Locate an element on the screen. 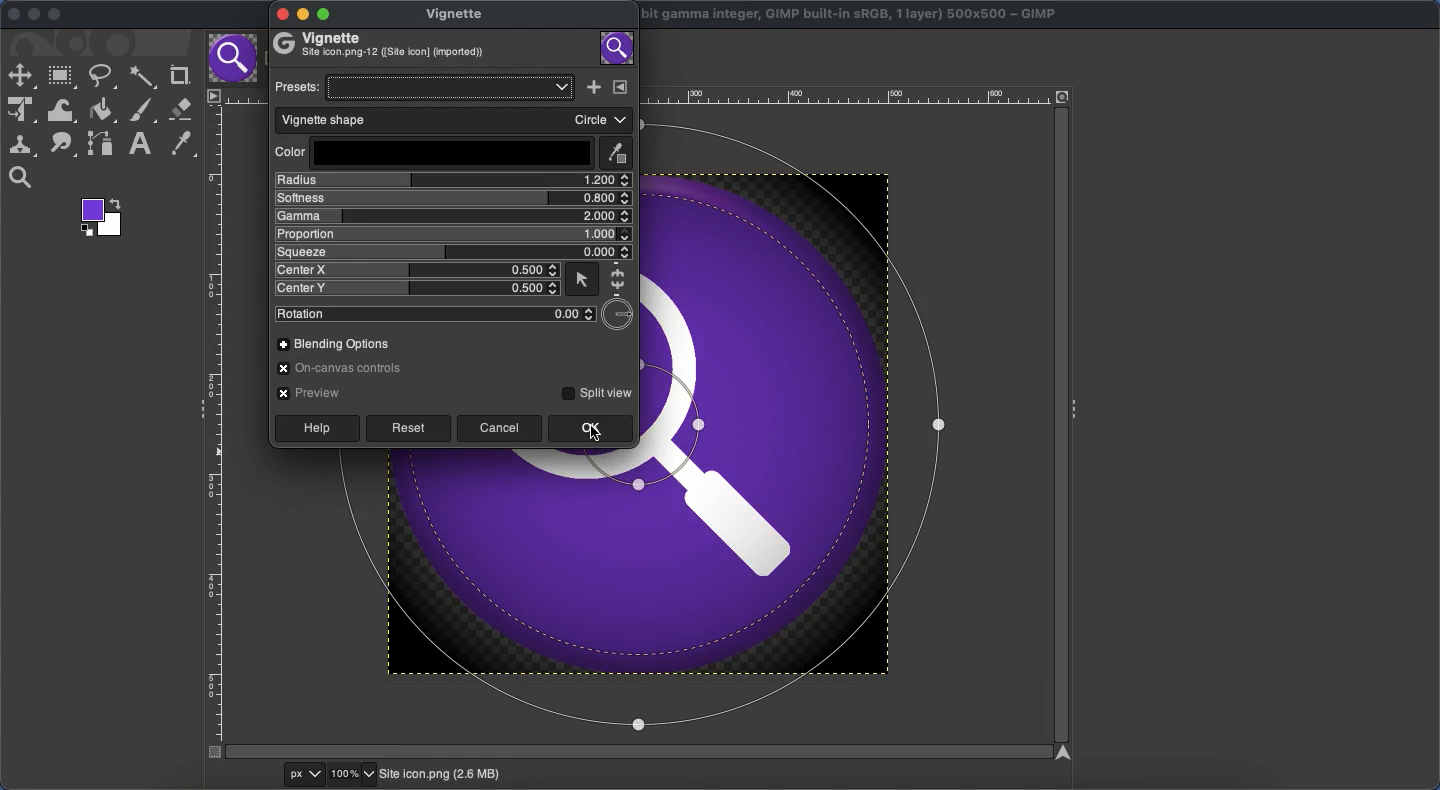  Image is located at coordinates (618, 48).